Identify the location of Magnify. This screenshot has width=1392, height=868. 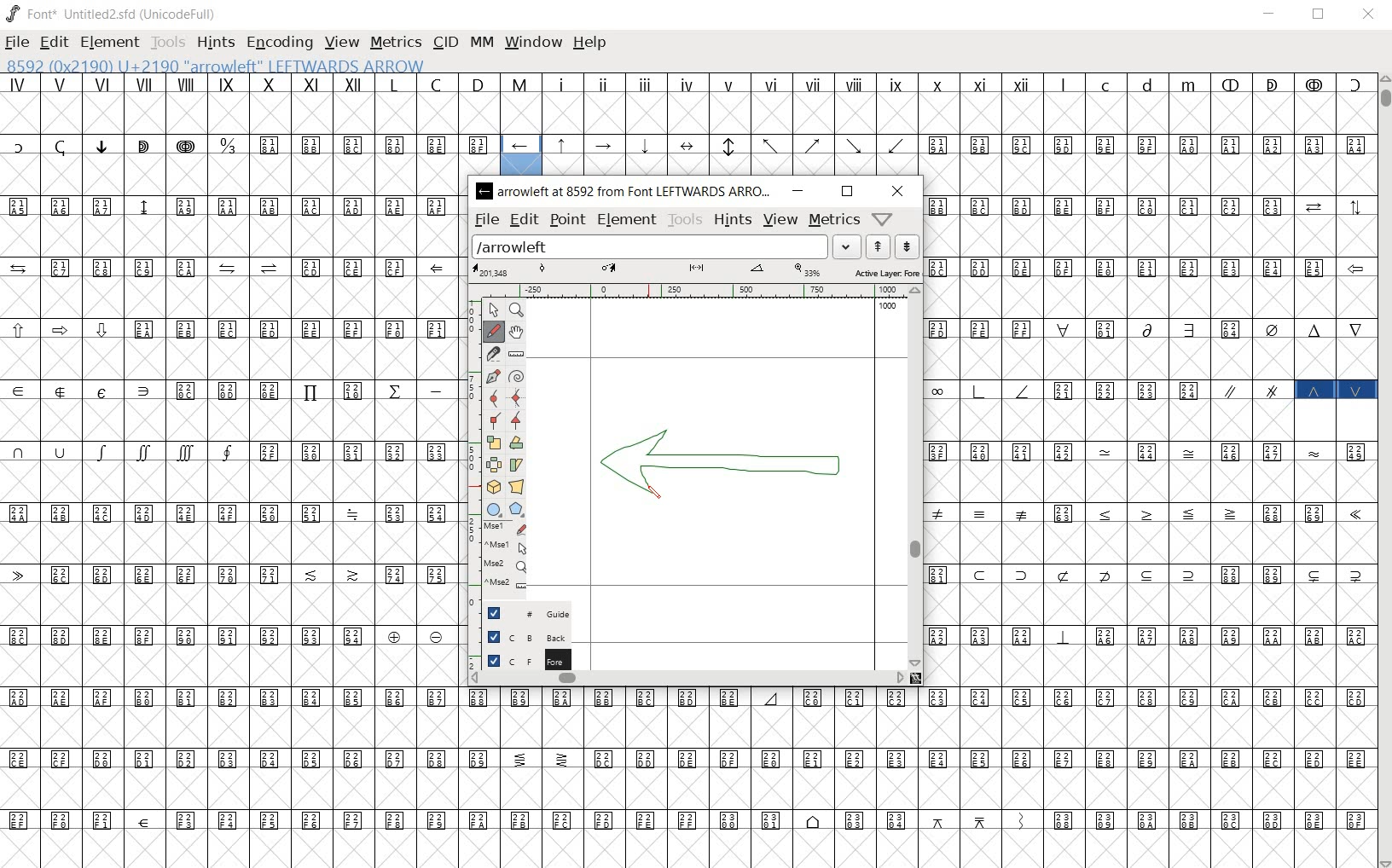
(517, 310).